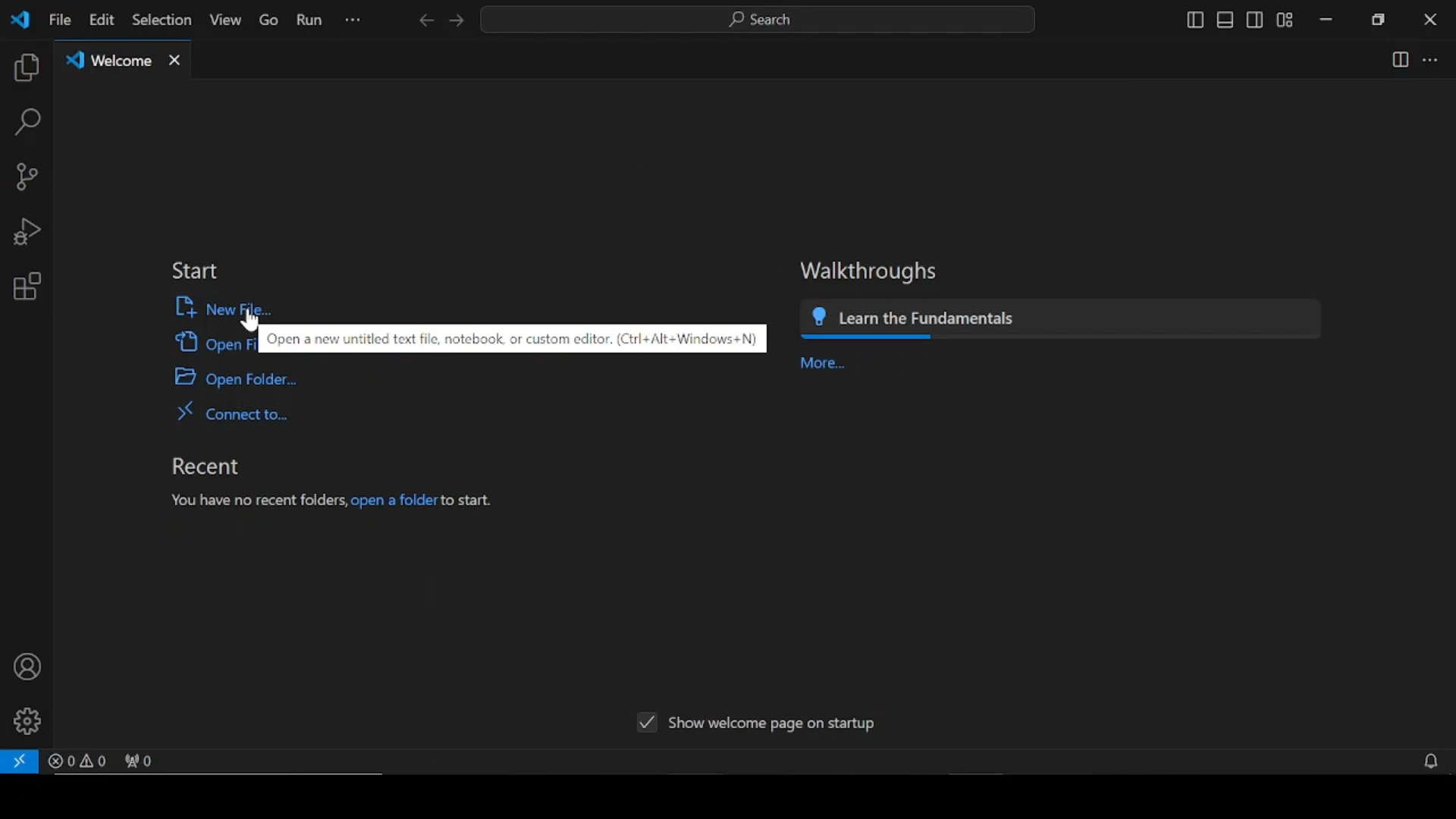  I want to click on connect to, so click(231, 412).